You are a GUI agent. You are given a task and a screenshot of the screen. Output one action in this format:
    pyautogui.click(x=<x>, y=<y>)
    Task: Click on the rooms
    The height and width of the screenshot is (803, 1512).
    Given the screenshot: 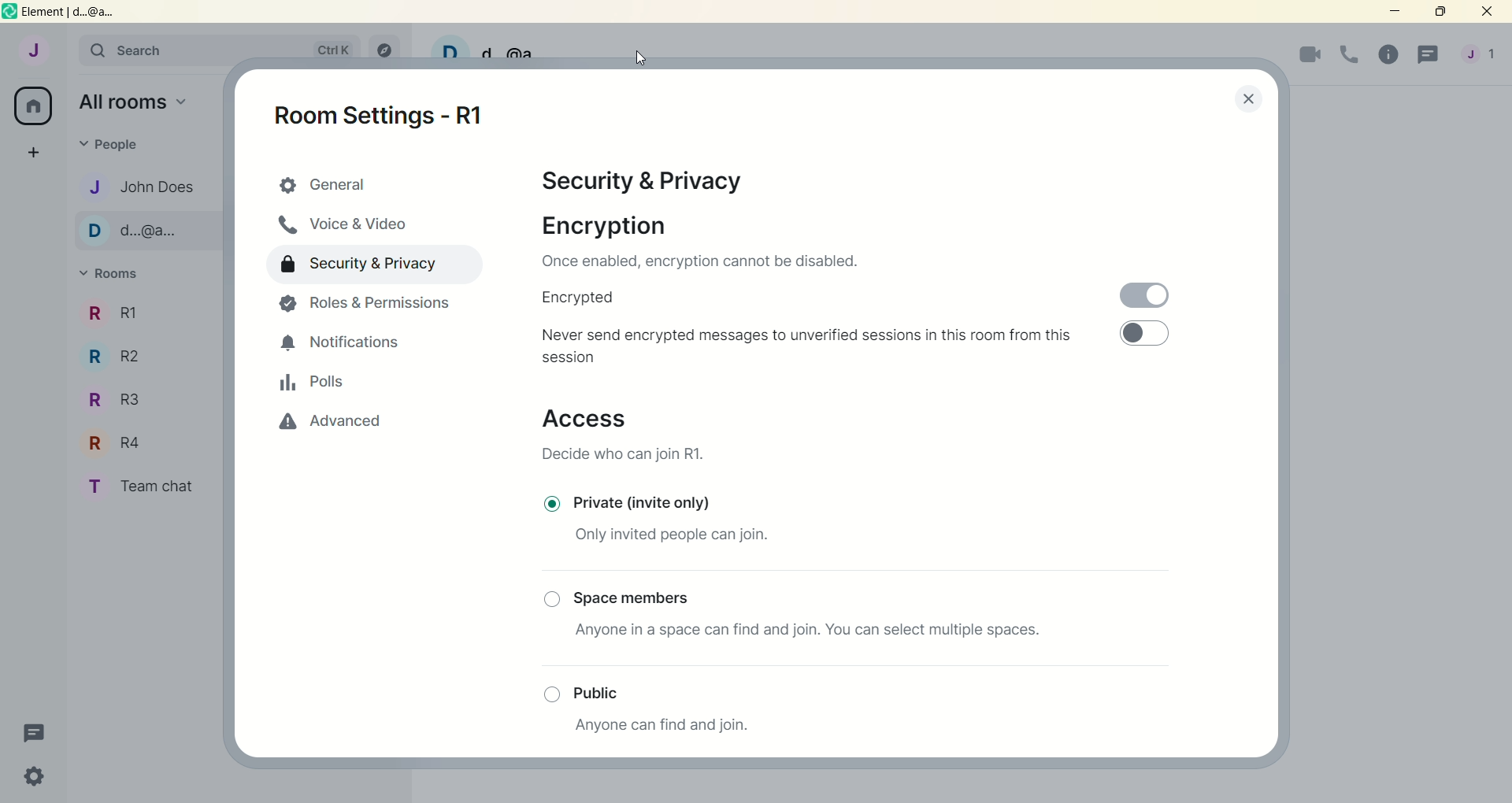 What is the action you would take?
    pyautogui.click(x=110, y=274)
    